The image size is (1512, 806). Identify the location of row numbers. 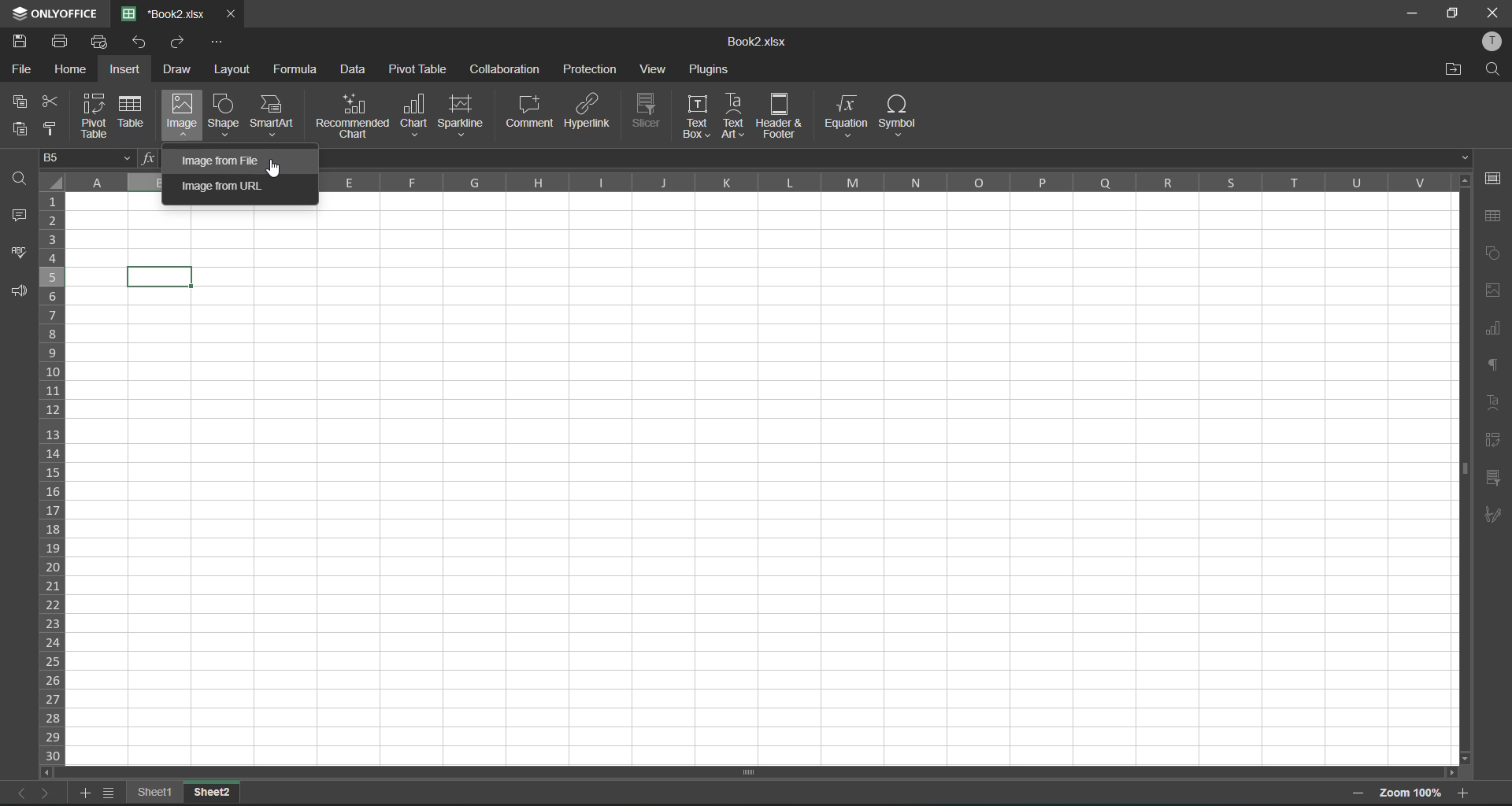
(55, 479).